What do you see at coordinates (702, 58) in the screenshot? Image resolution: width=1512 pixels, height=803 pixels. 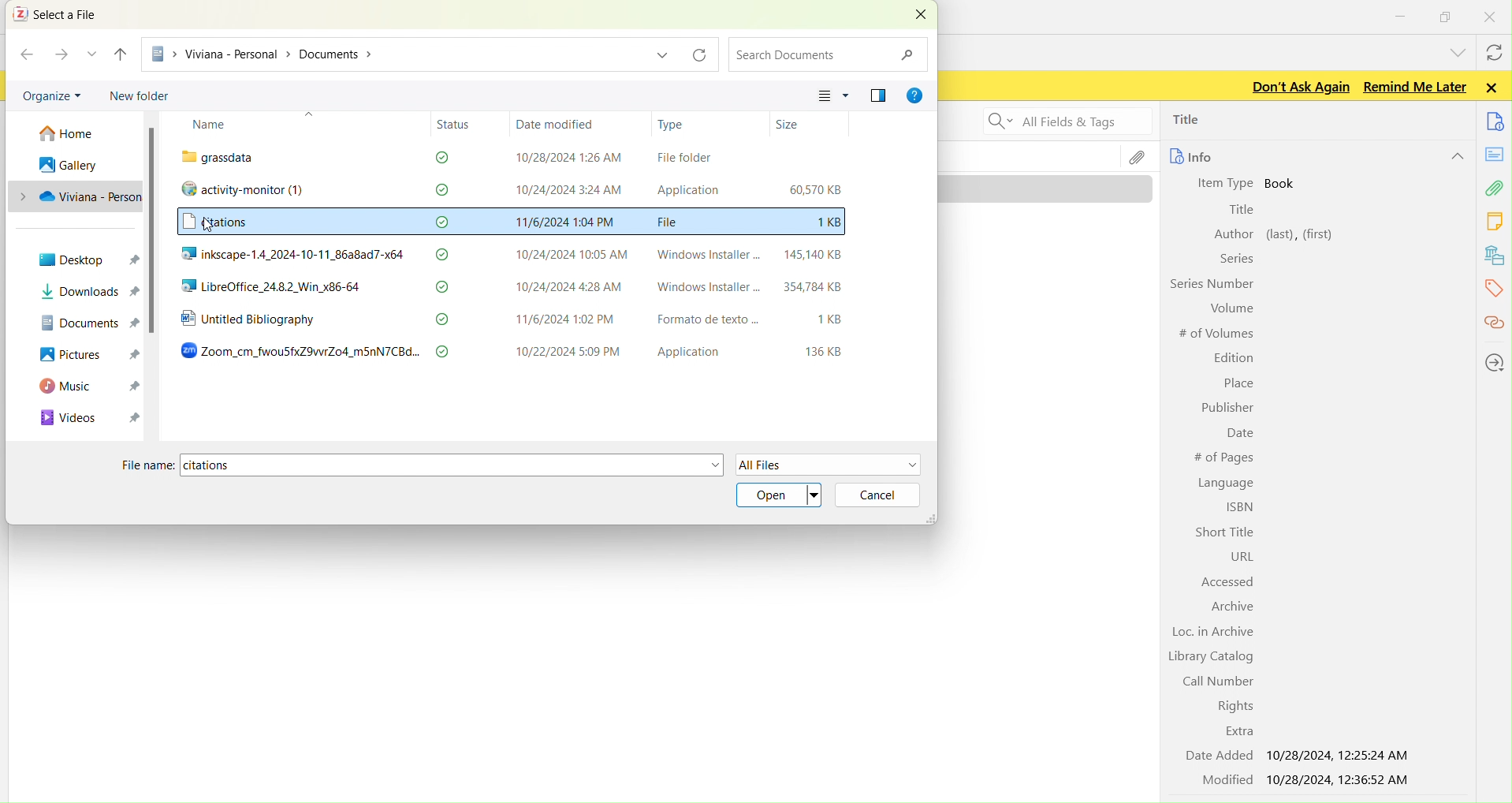 I see `refresh` at bounding box center [702, 58].